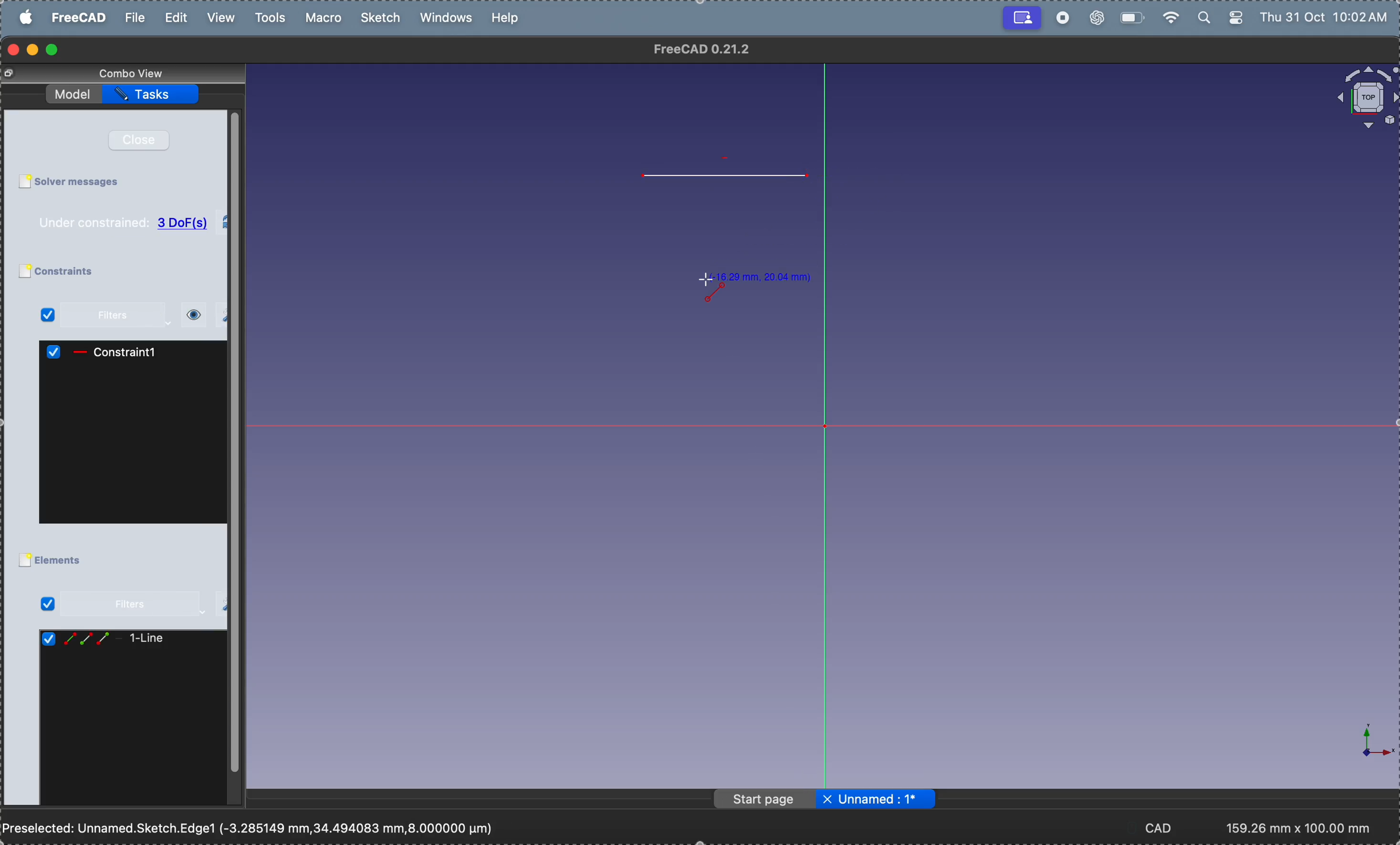  Describe the element at coordinates (703, 49) in the screenshot. I see `FreeCAD 0.21.2` at that location.